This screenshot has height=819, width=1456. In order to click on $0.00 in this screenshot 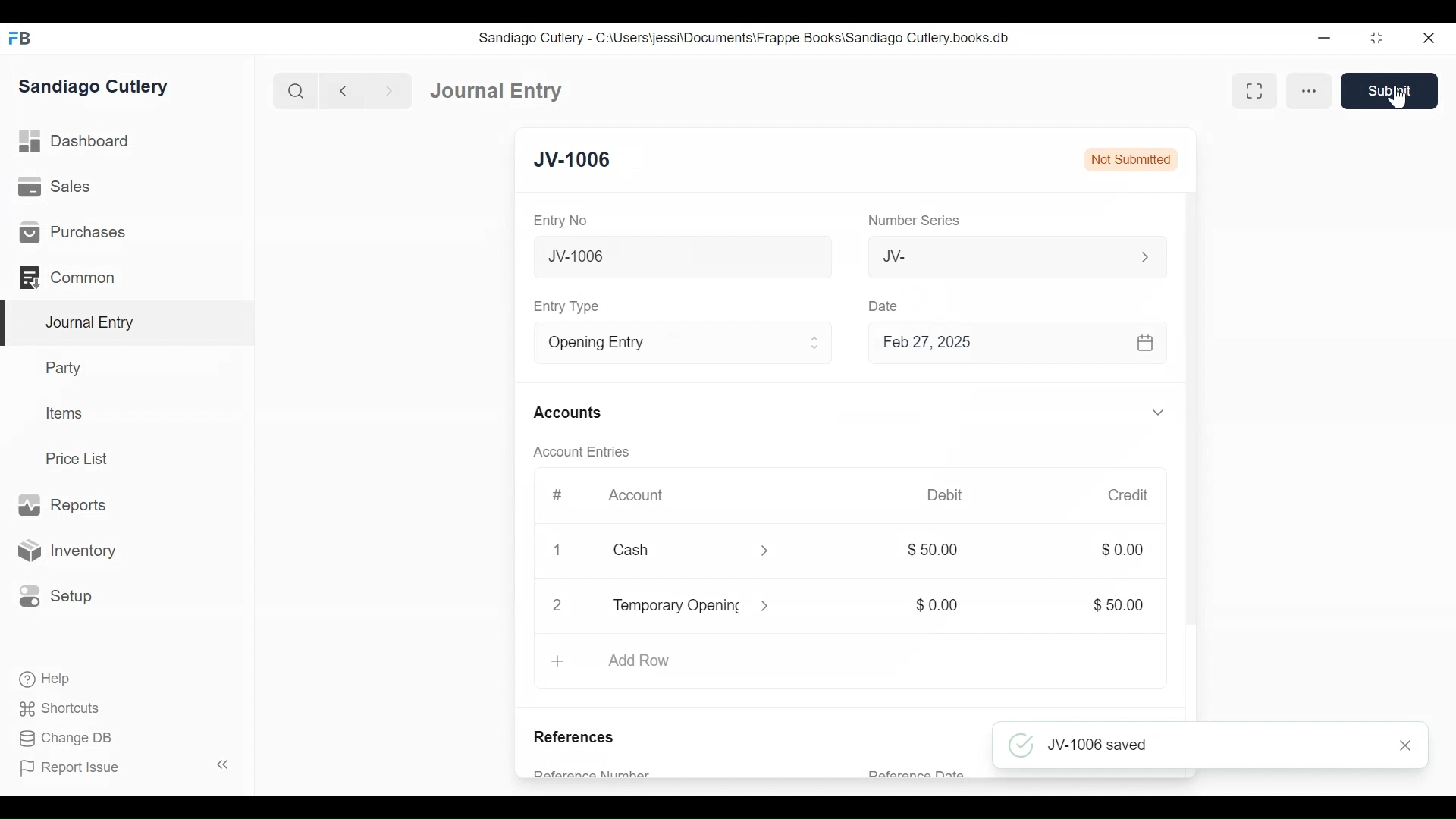, I will do `click(1122, 550)`.